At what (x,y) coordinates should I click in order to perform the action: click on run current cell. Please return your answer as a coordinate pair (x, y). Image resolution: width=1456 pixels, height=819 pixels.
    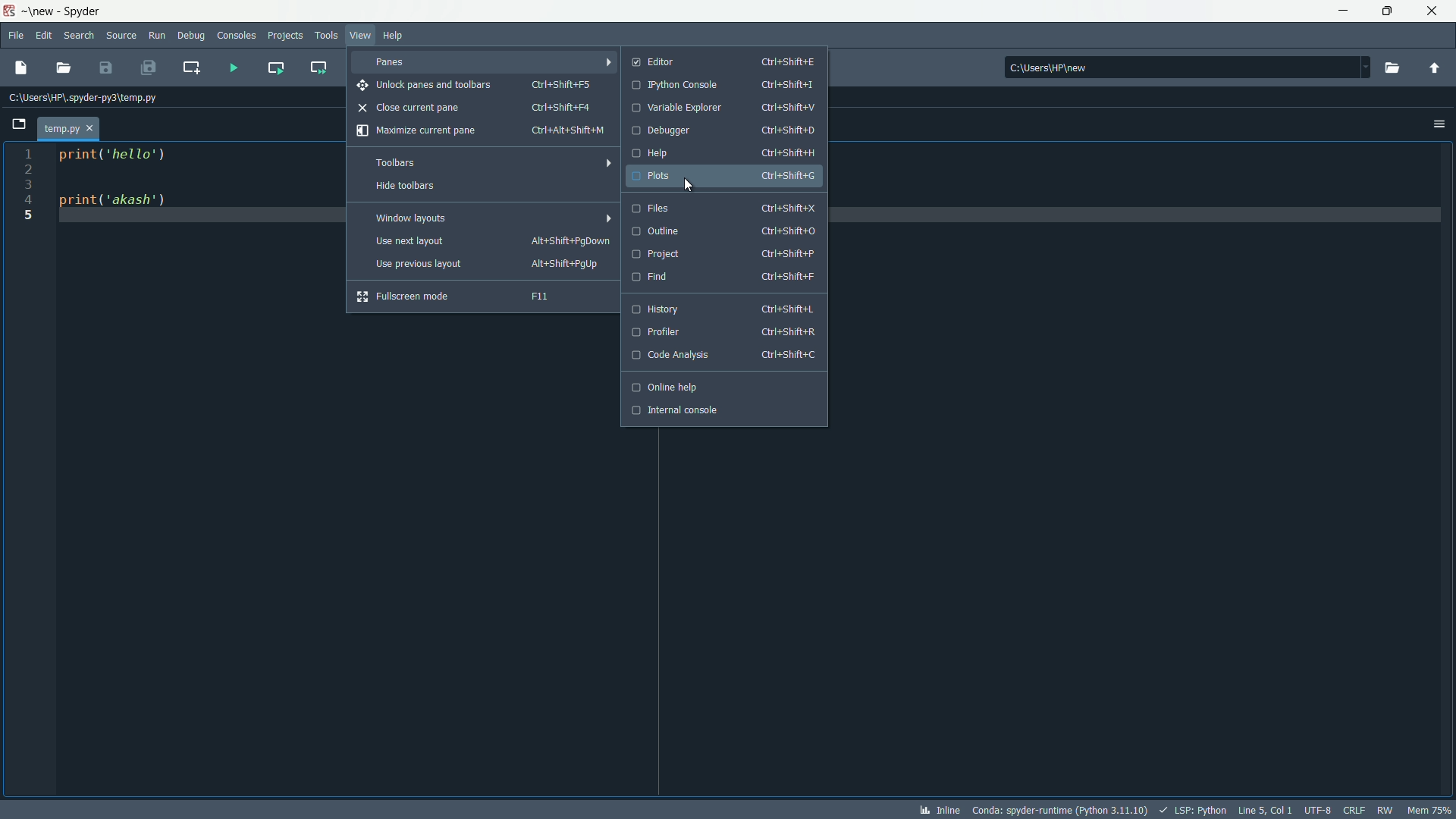
    Looking at the image, I should click on (275, 66).